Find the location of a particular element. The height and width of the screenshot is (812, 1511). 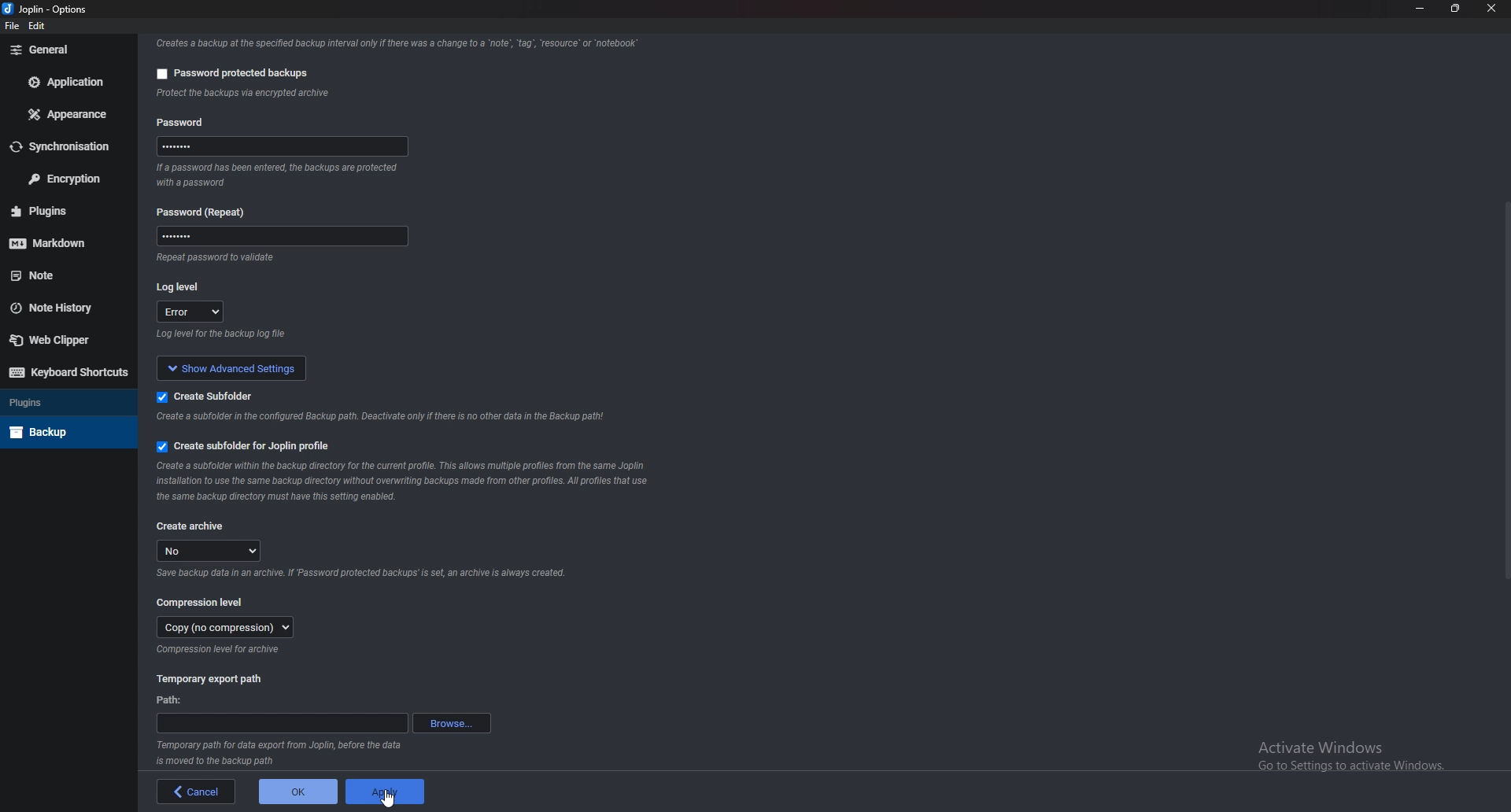

Application is located at coordinates (68, 83).